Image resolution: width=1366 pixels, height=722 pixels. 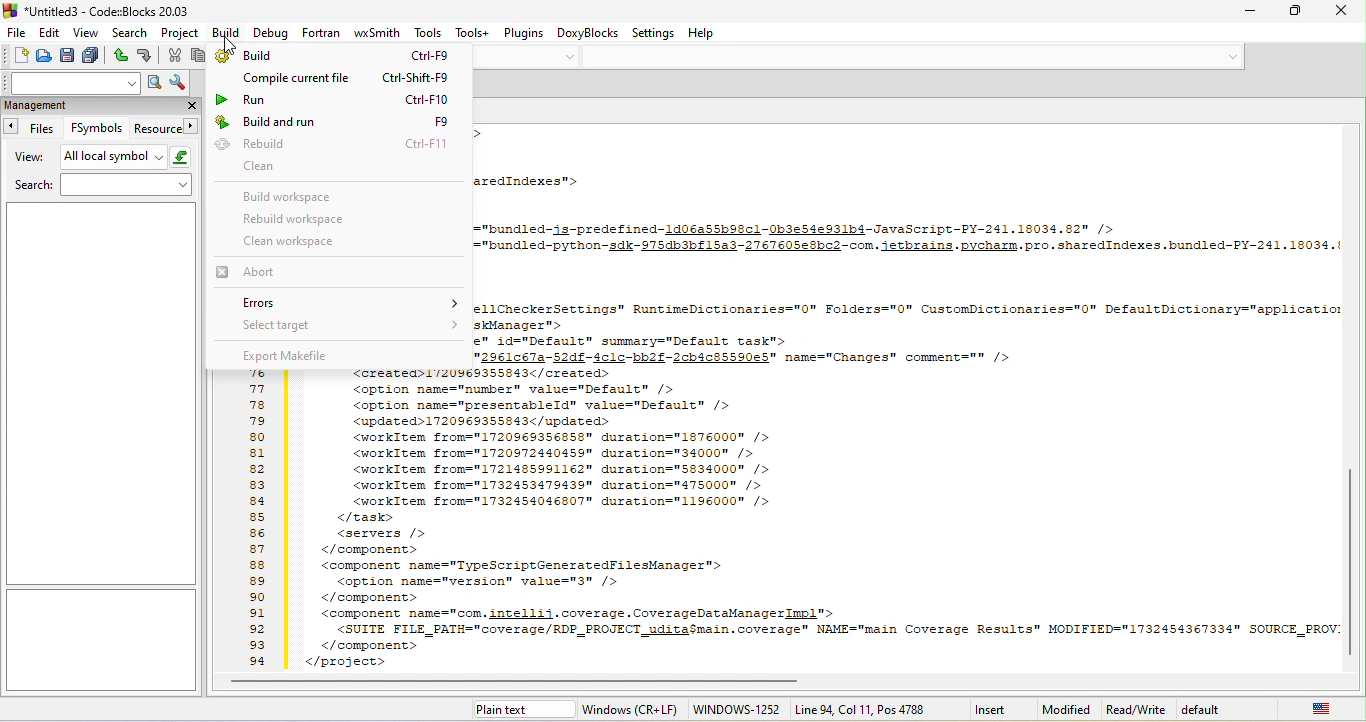 I want to click on cut, so click(x=175, y=58).